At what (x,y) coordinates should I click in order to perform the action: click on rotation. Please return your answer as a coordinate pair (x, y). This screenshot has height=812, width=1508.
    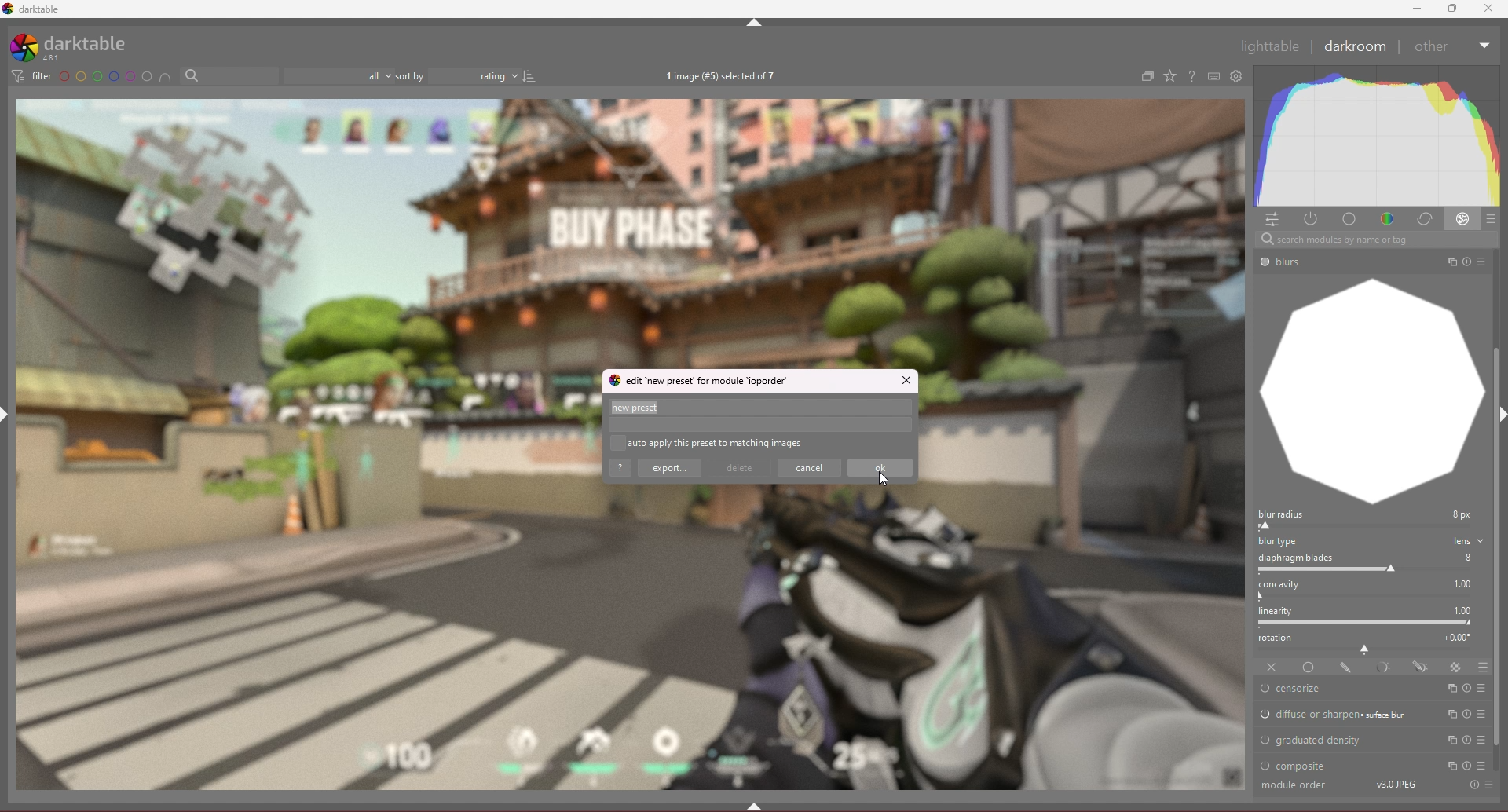
    Looking at the image, I should click on (1372, 642).